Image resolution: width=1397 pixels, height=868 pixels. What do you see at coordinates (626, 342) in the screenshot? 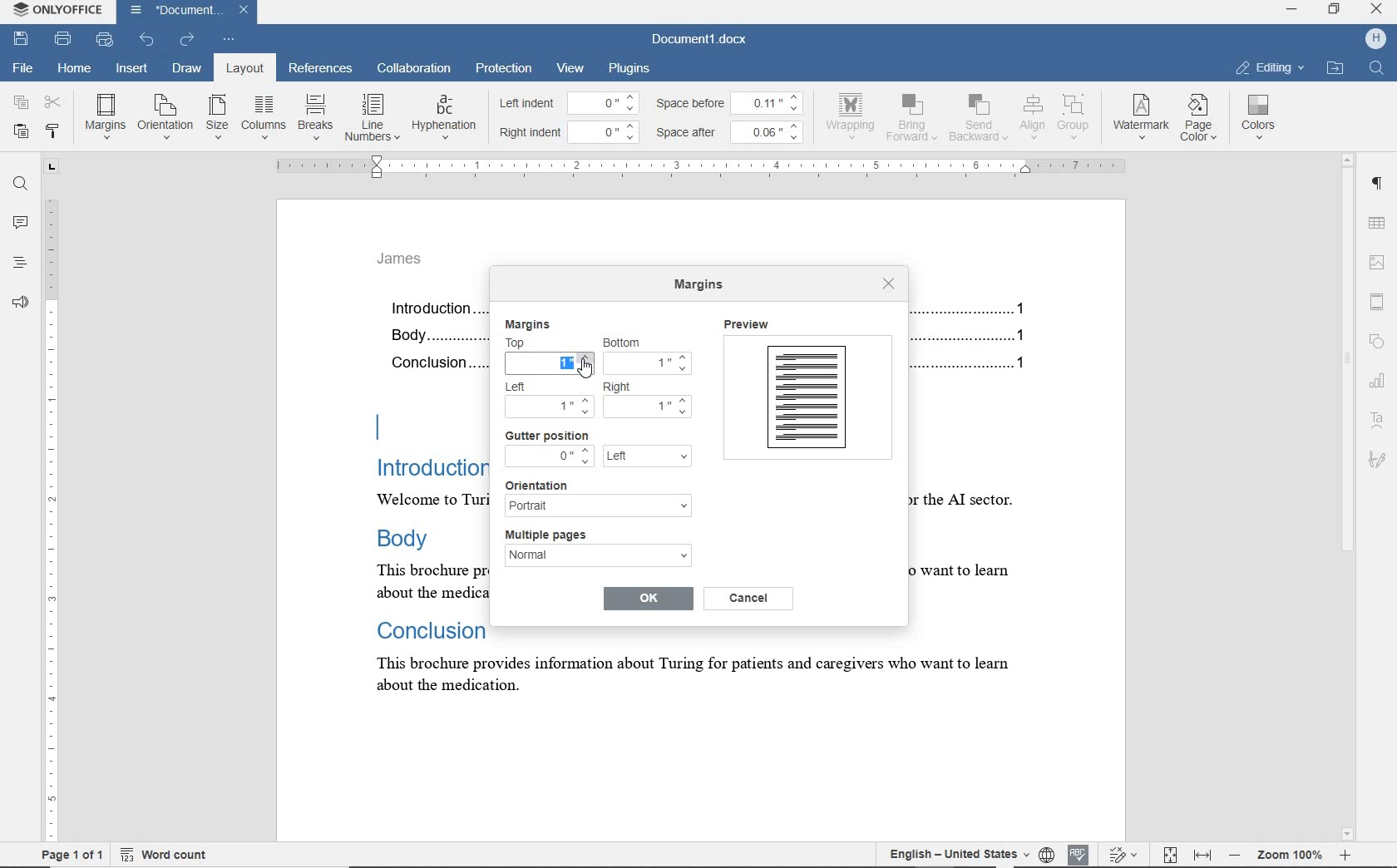
I see `bottom` at bounding box center [626, 342].